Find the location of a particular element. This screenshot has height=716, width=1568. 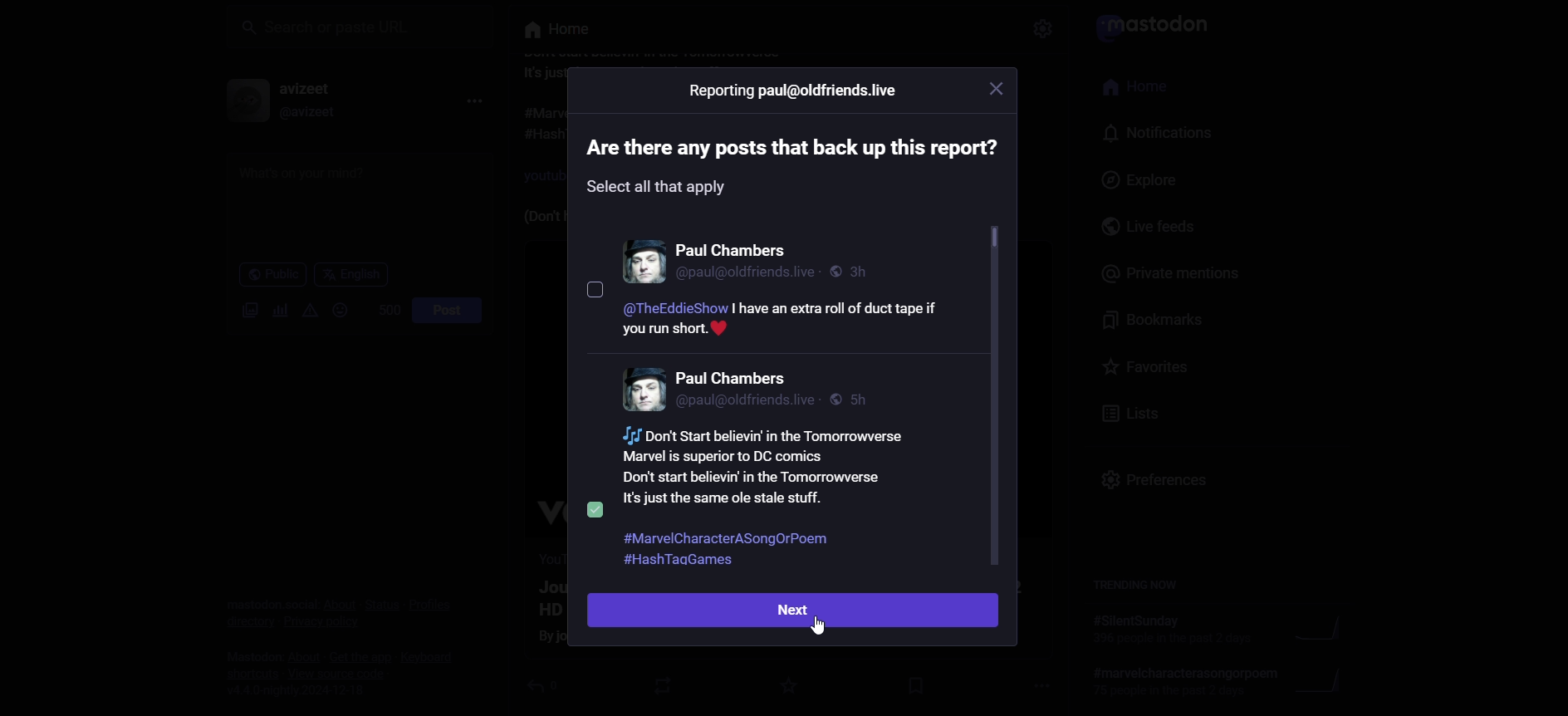

 is located at coordinates (695, 560).